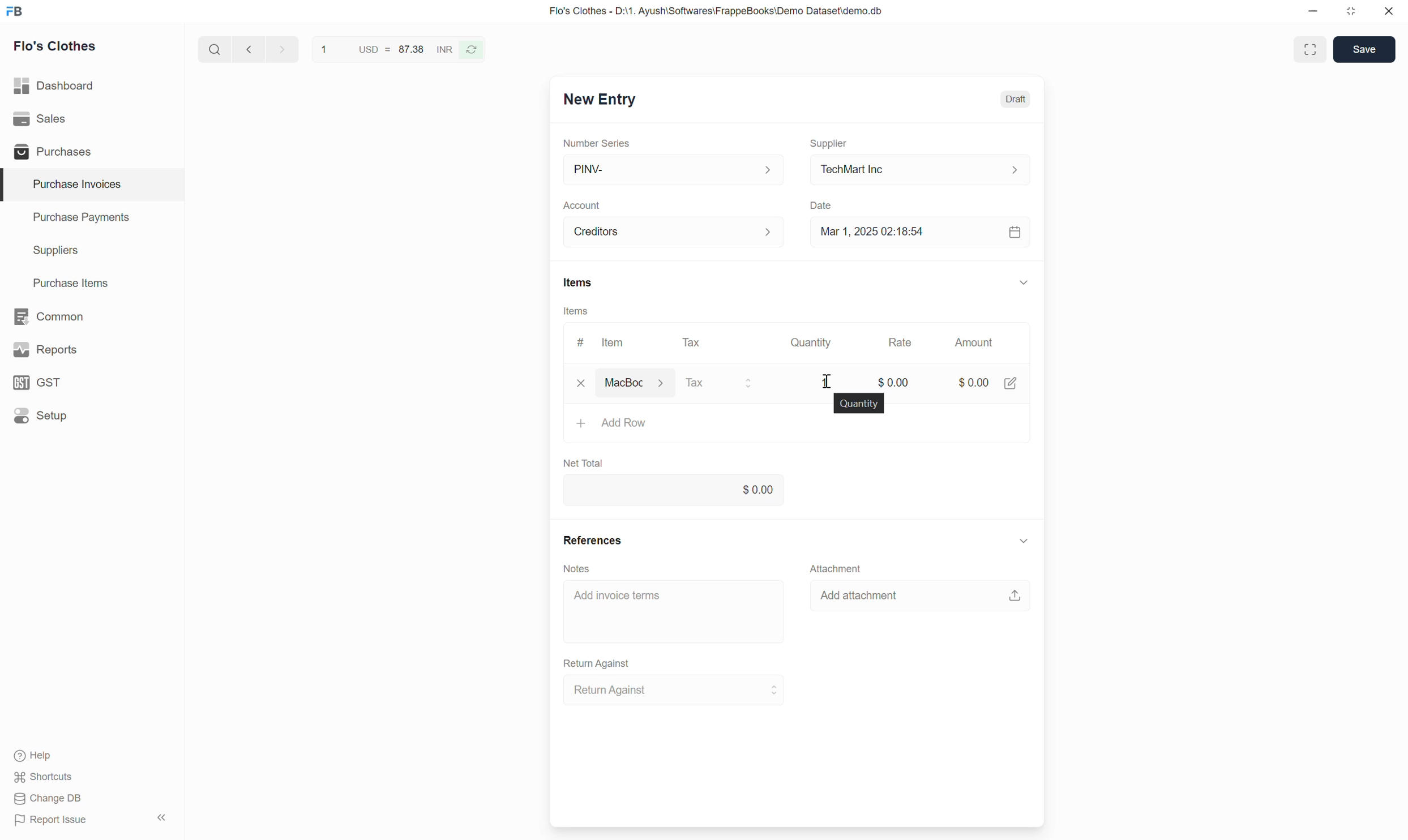 Image resolution: width=1408 pixels, height=840 pixels. Describe the element at coordinates (215, 49) in the screenshot. I see `Search` at that location.